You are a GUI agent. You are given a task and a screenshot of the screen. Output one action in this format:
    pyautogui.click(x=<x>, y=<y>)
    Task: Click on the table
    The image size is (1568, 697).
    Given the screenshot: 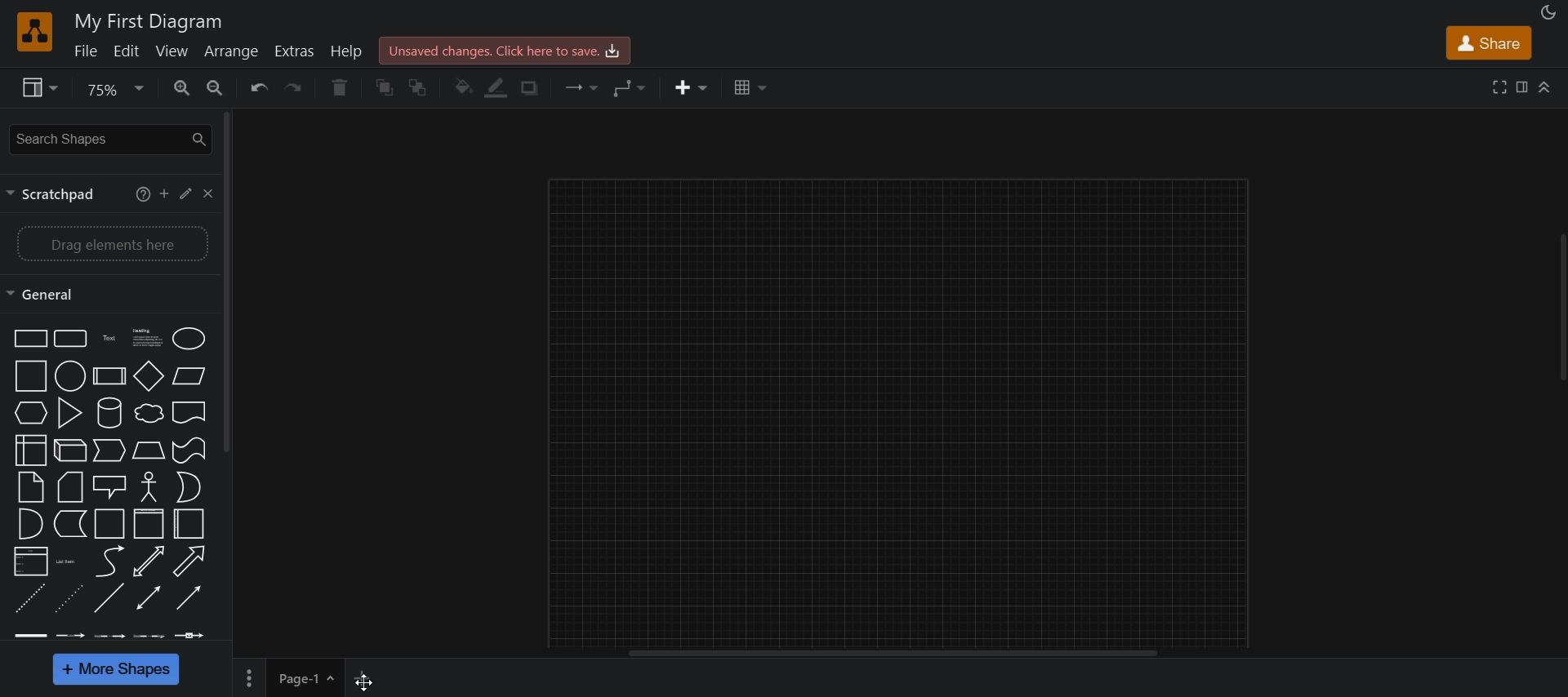 What is the action you would take?
    pyautogui.click(x=751, y=89)
    